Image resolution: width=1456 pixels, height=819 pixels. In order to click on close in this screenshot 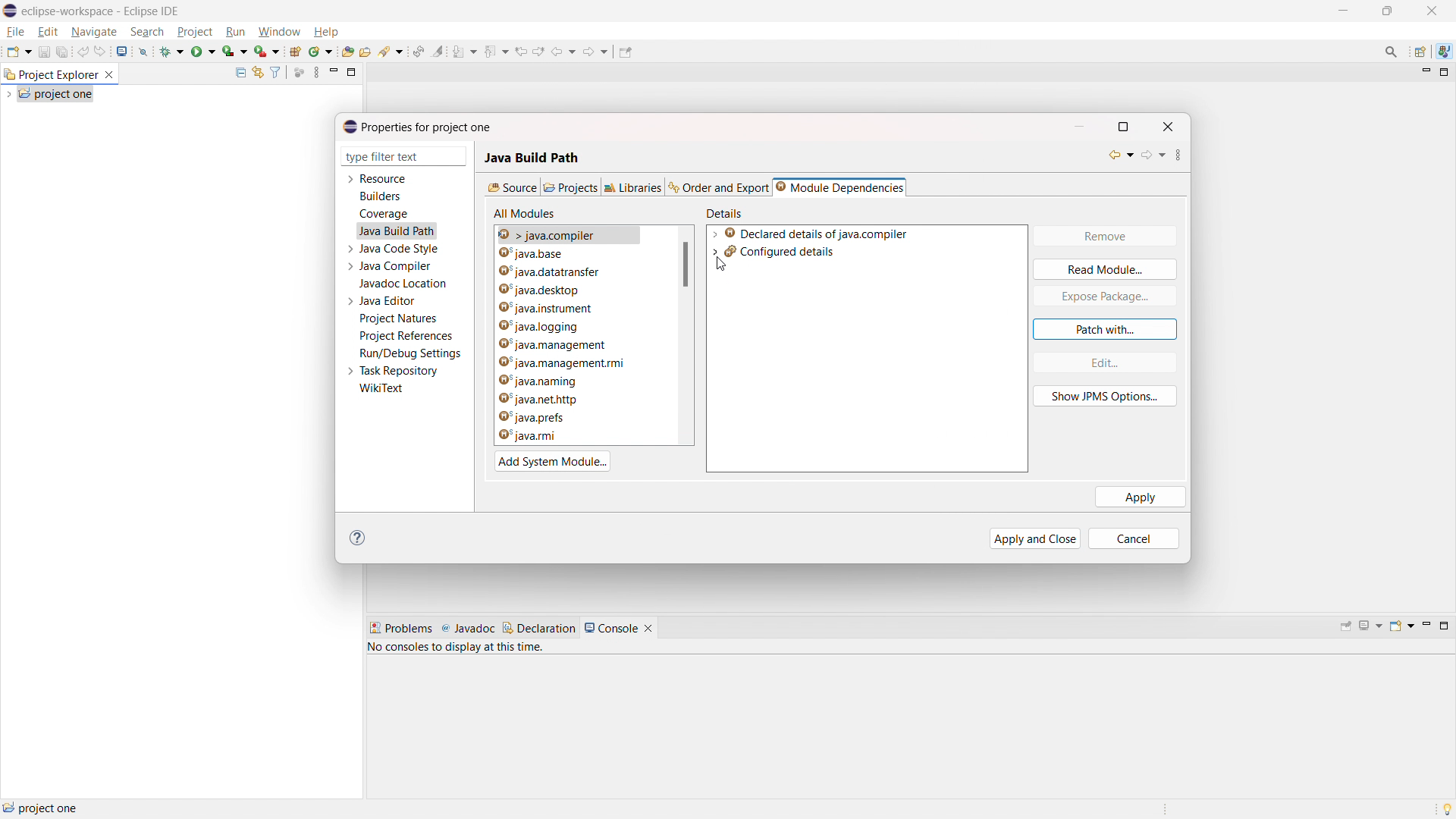, I will do `click(1432, 11)`.